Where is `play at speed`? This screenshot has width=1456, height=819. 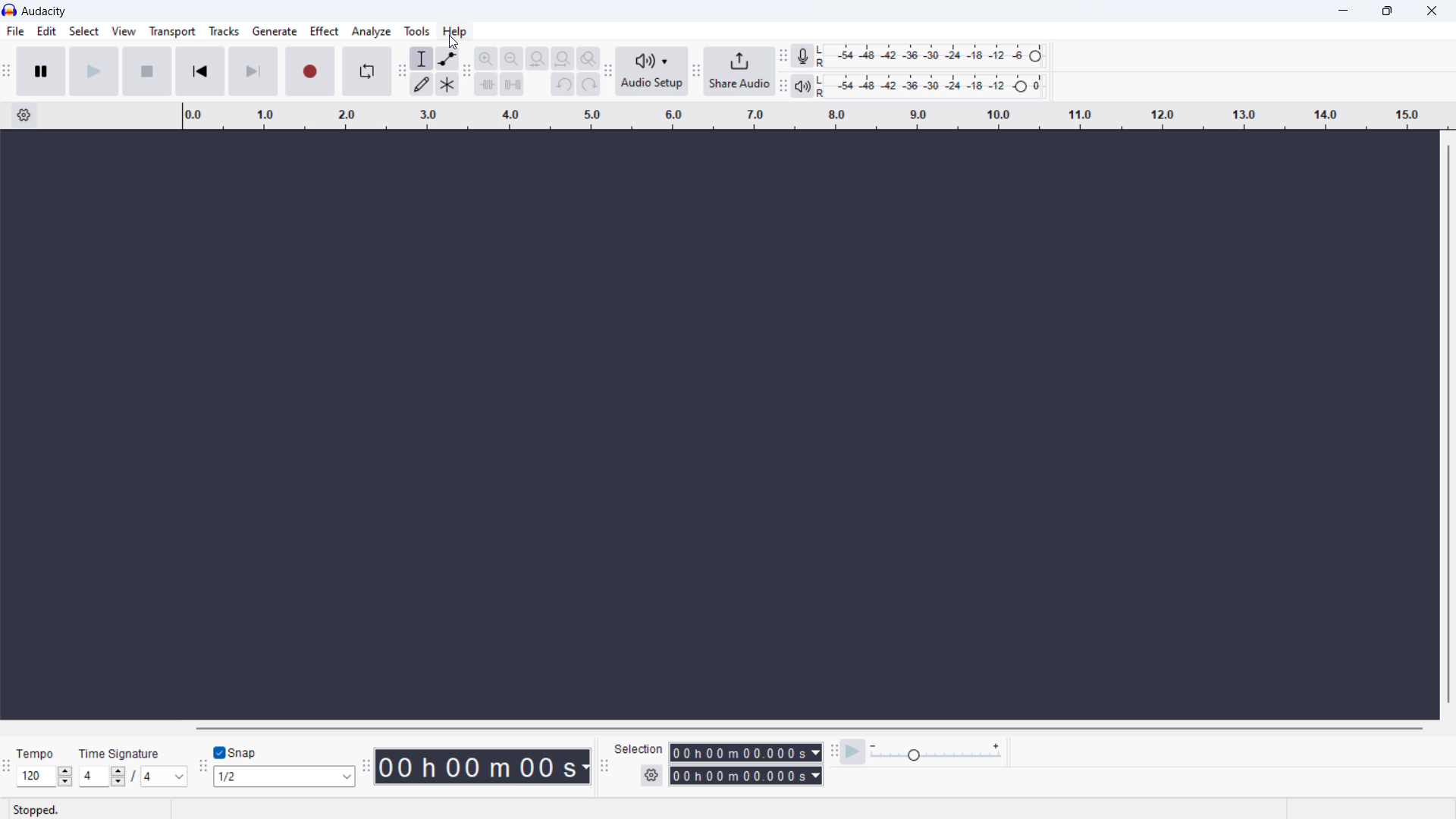 play at speed is located at coordinates (854, 752).